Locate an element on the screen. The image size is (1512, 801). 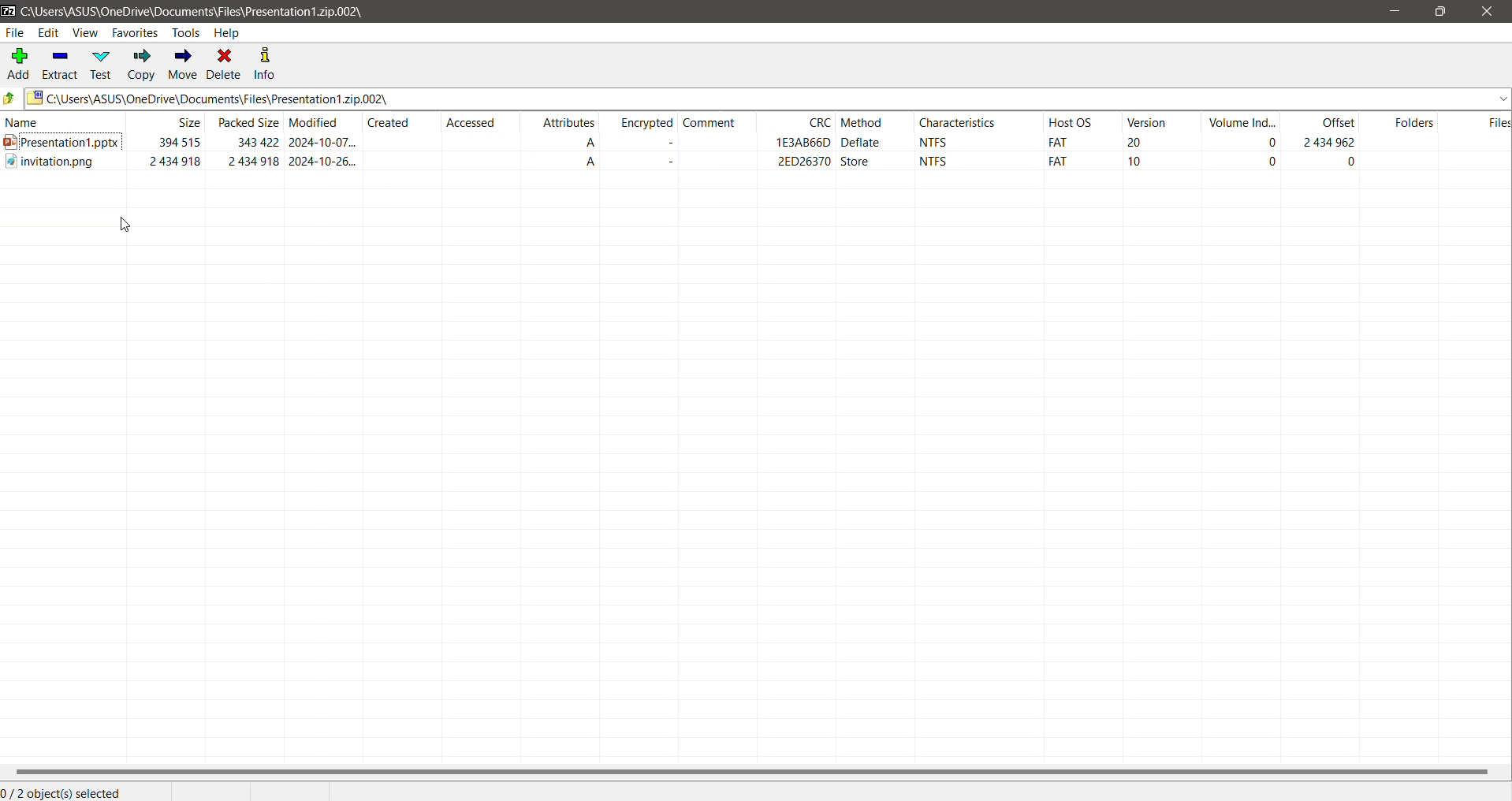
20 is located at coordinates (1138, 143).